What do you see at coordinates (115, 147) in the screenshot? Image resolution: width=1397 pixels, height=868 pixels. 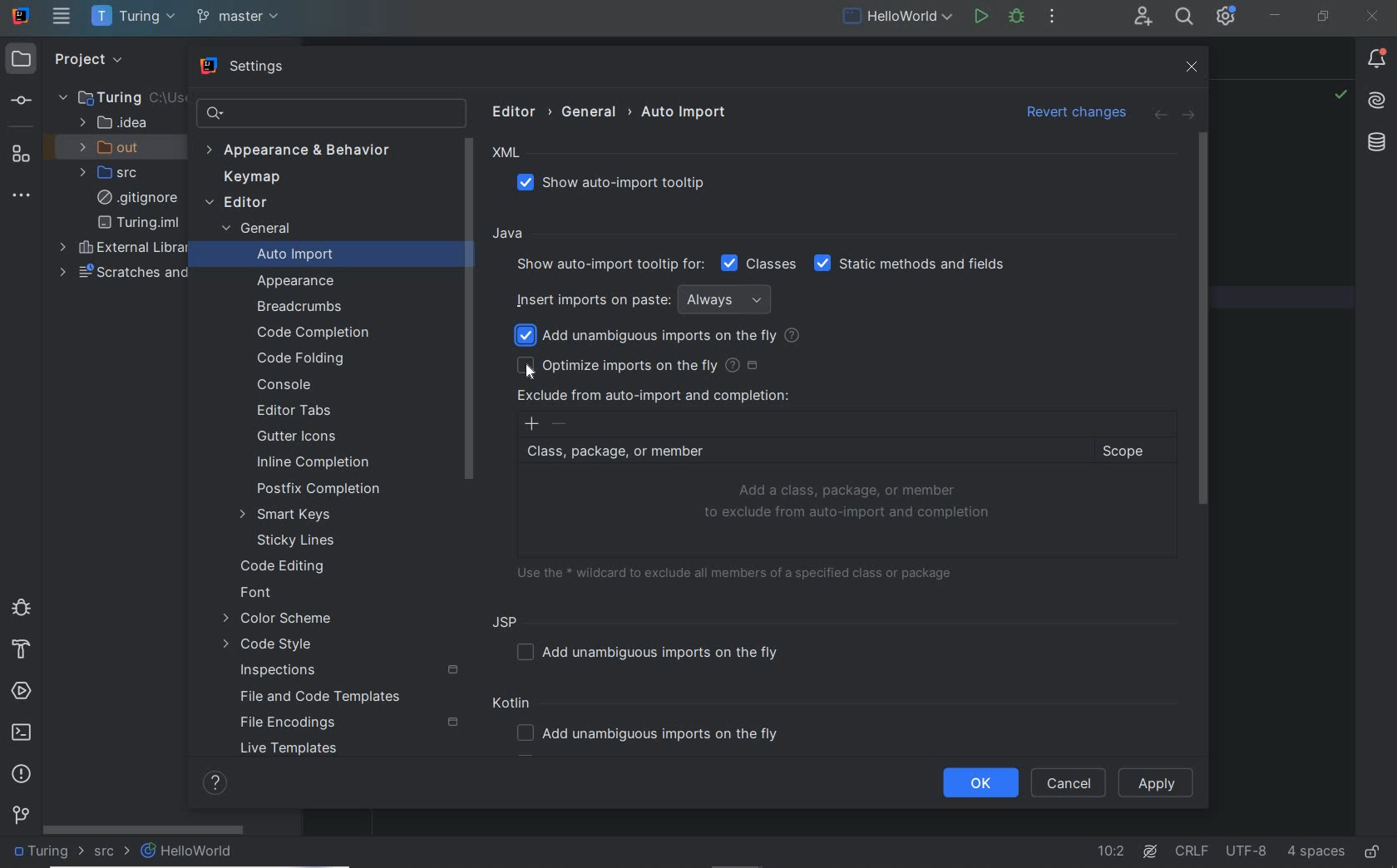 I see `out` at bounding box center [115, 147].